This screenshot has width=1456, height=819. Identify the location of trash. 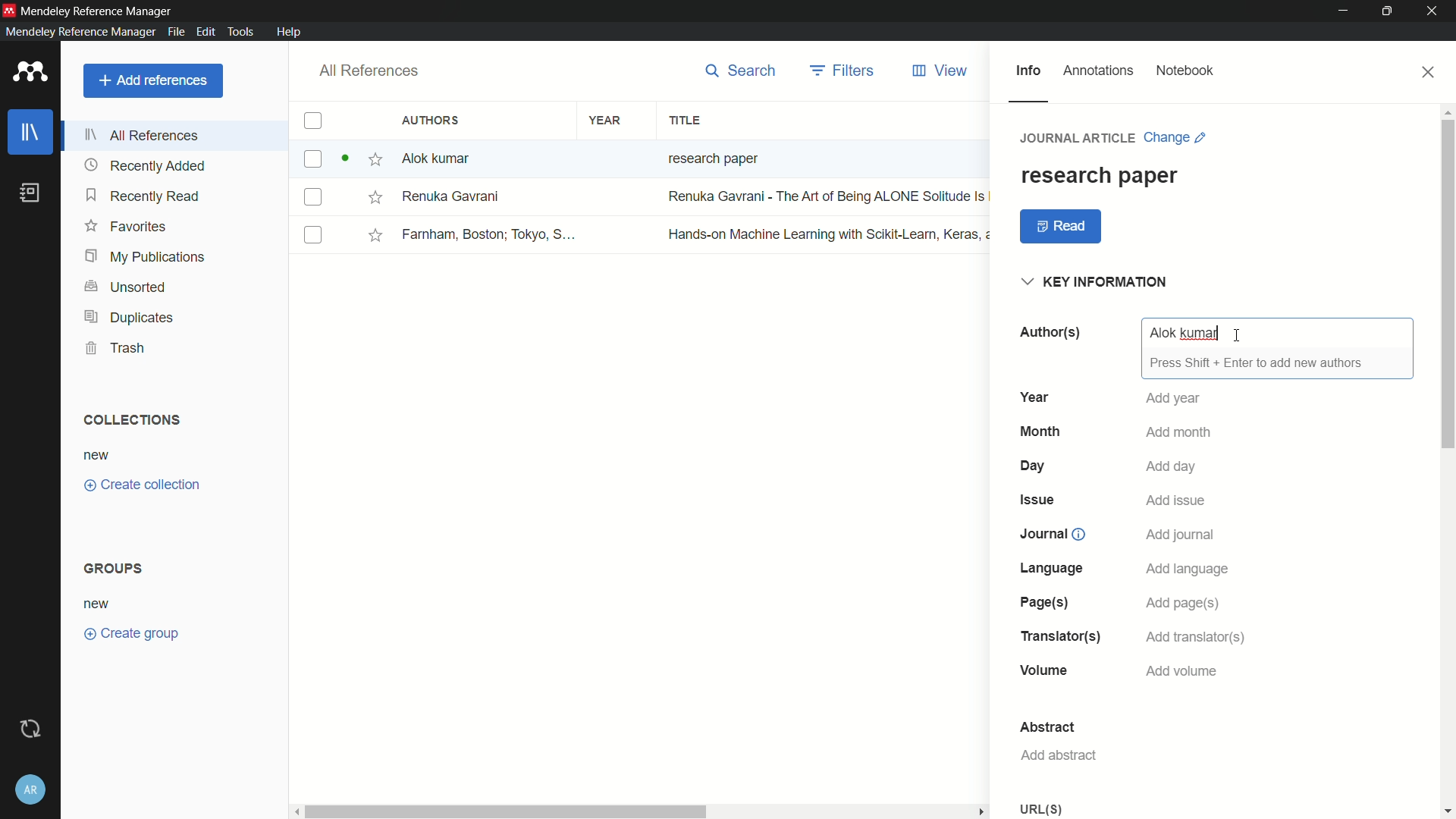
(117, 347).